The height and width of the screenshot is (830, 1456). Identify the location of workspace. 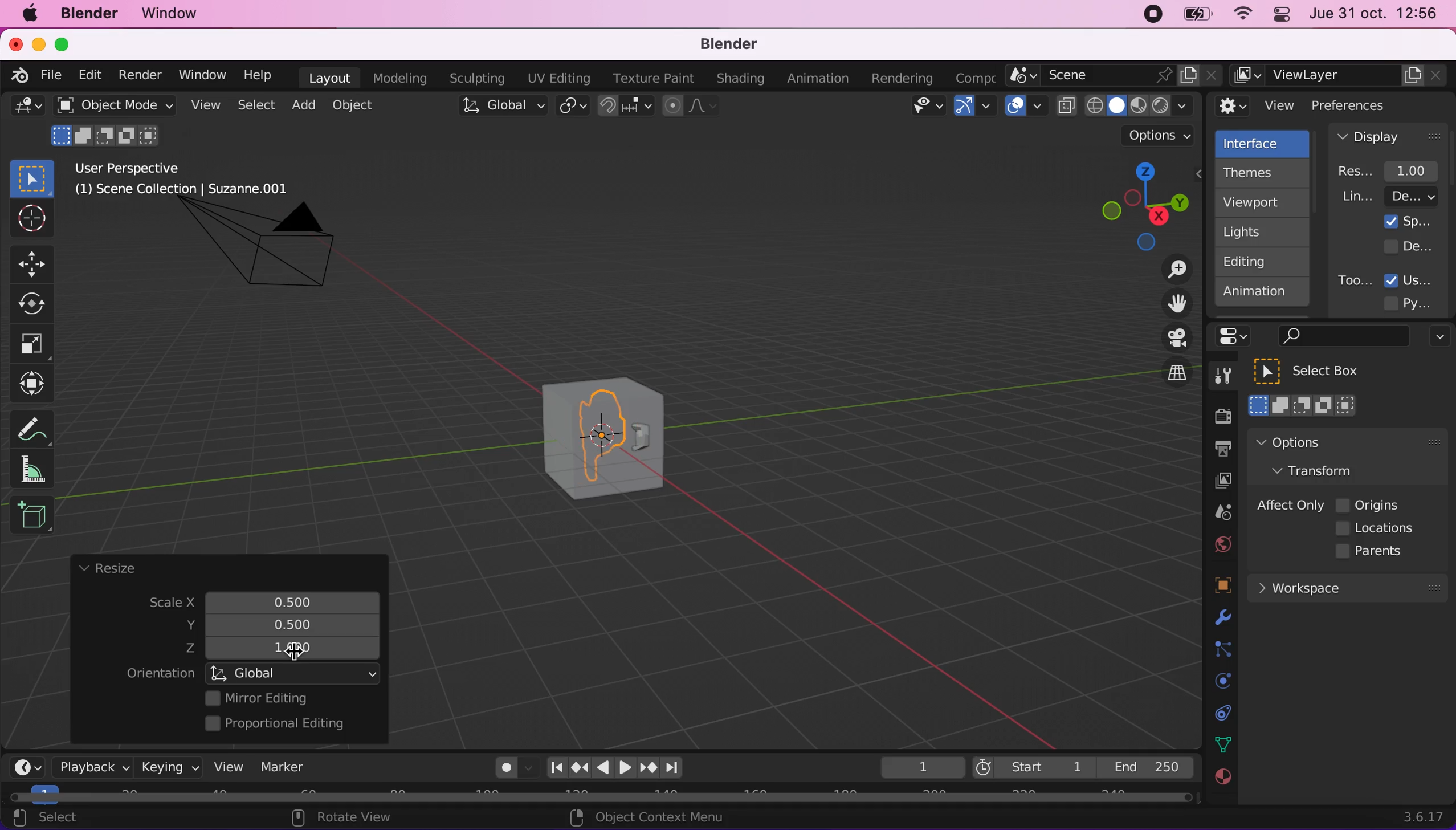
(1347, 587).